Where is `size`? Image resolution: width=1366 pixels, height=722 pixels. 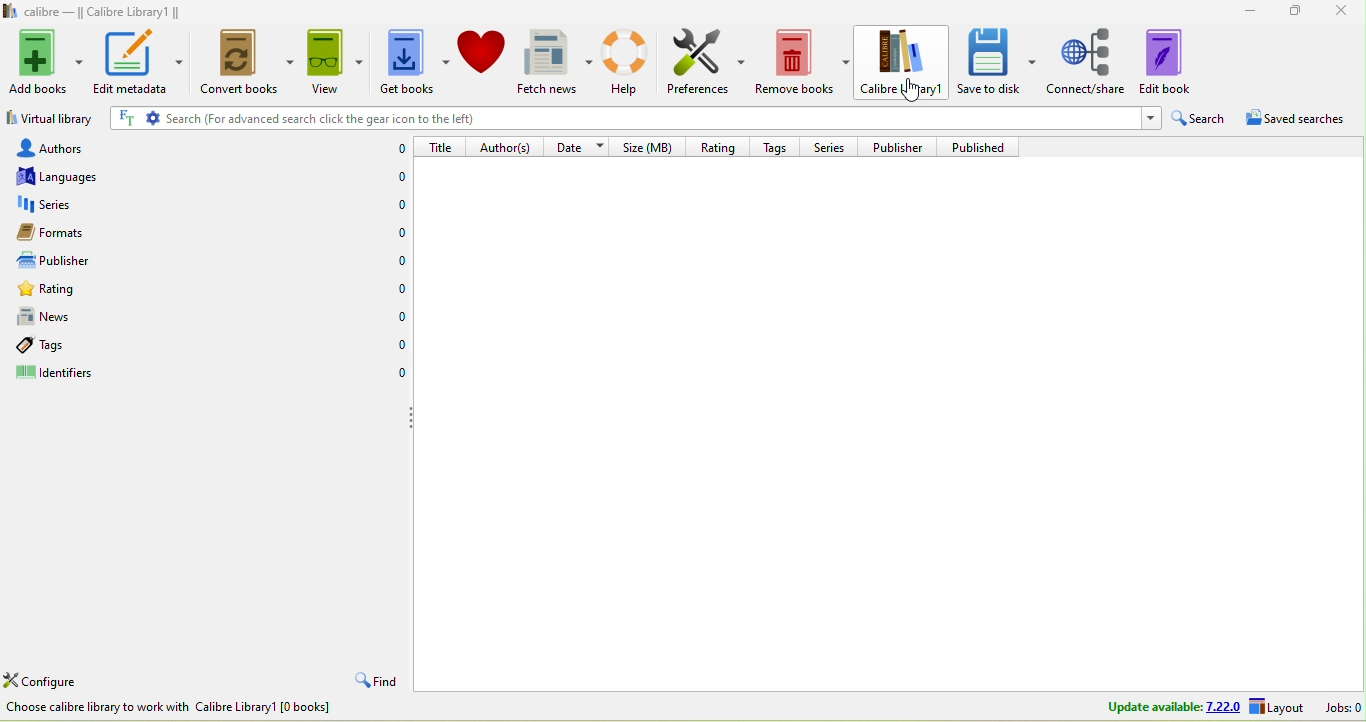
size is located at coordinates (651, 146).